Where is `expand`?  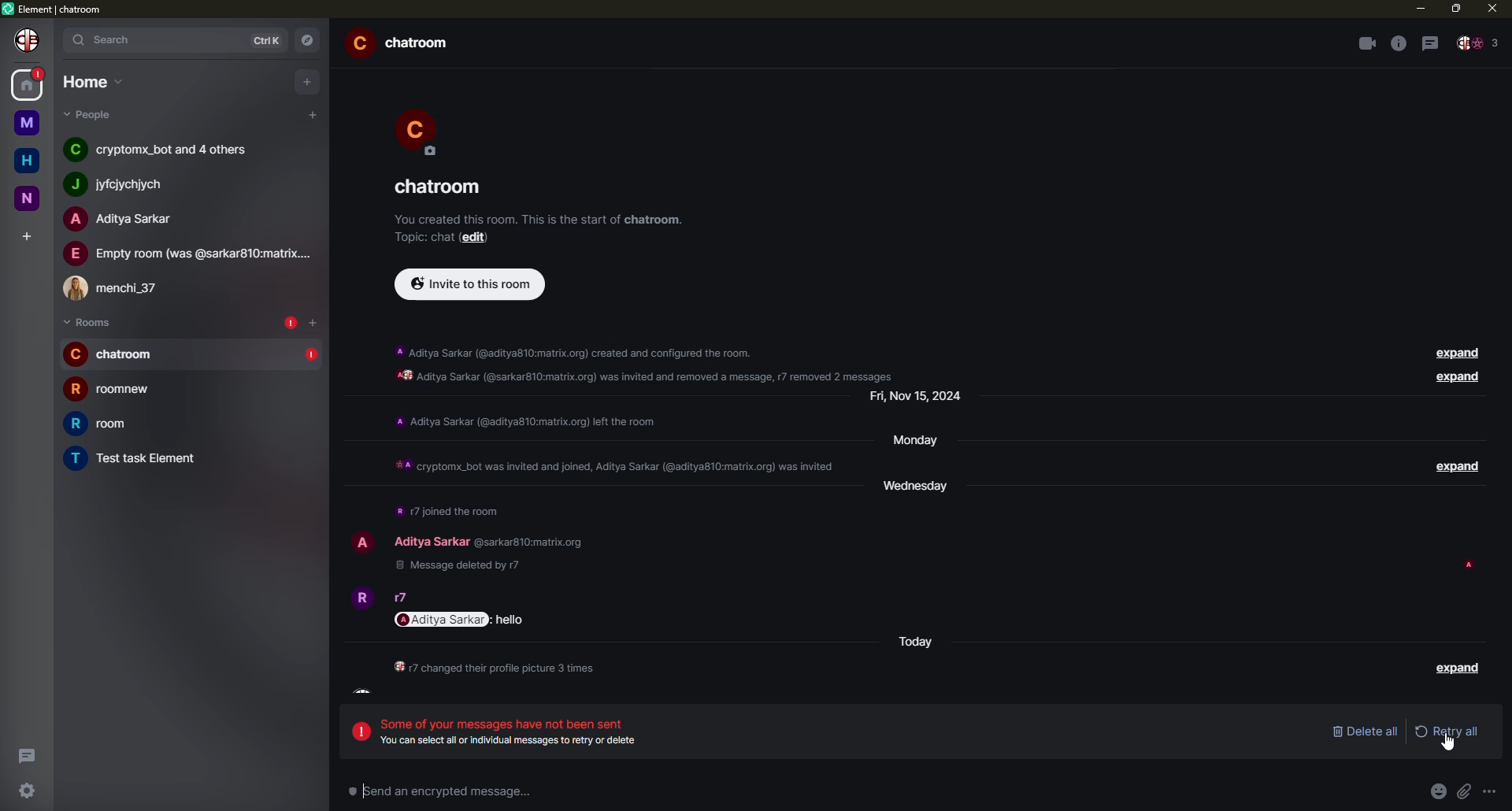
expand is located at coordinates (1458, 352).